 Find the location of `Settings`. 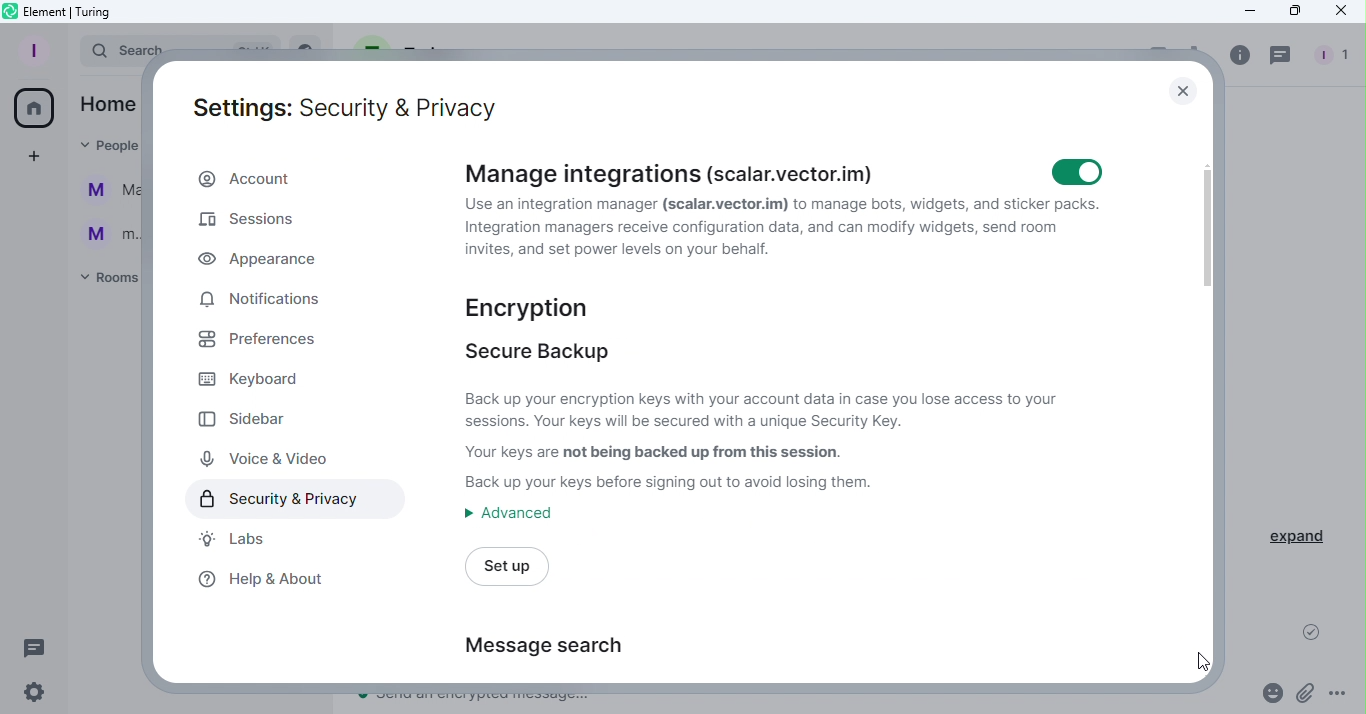

Settings is located at coordinates (40, 695).